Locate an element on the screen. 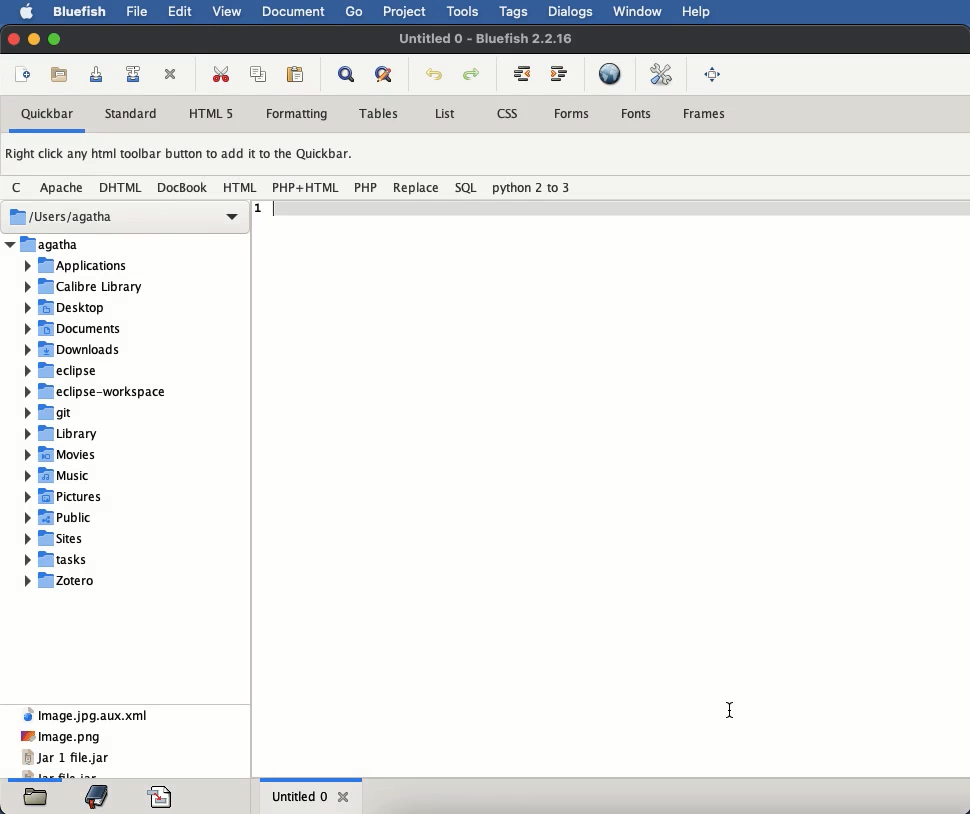  file is located at coordinates (136, 11).